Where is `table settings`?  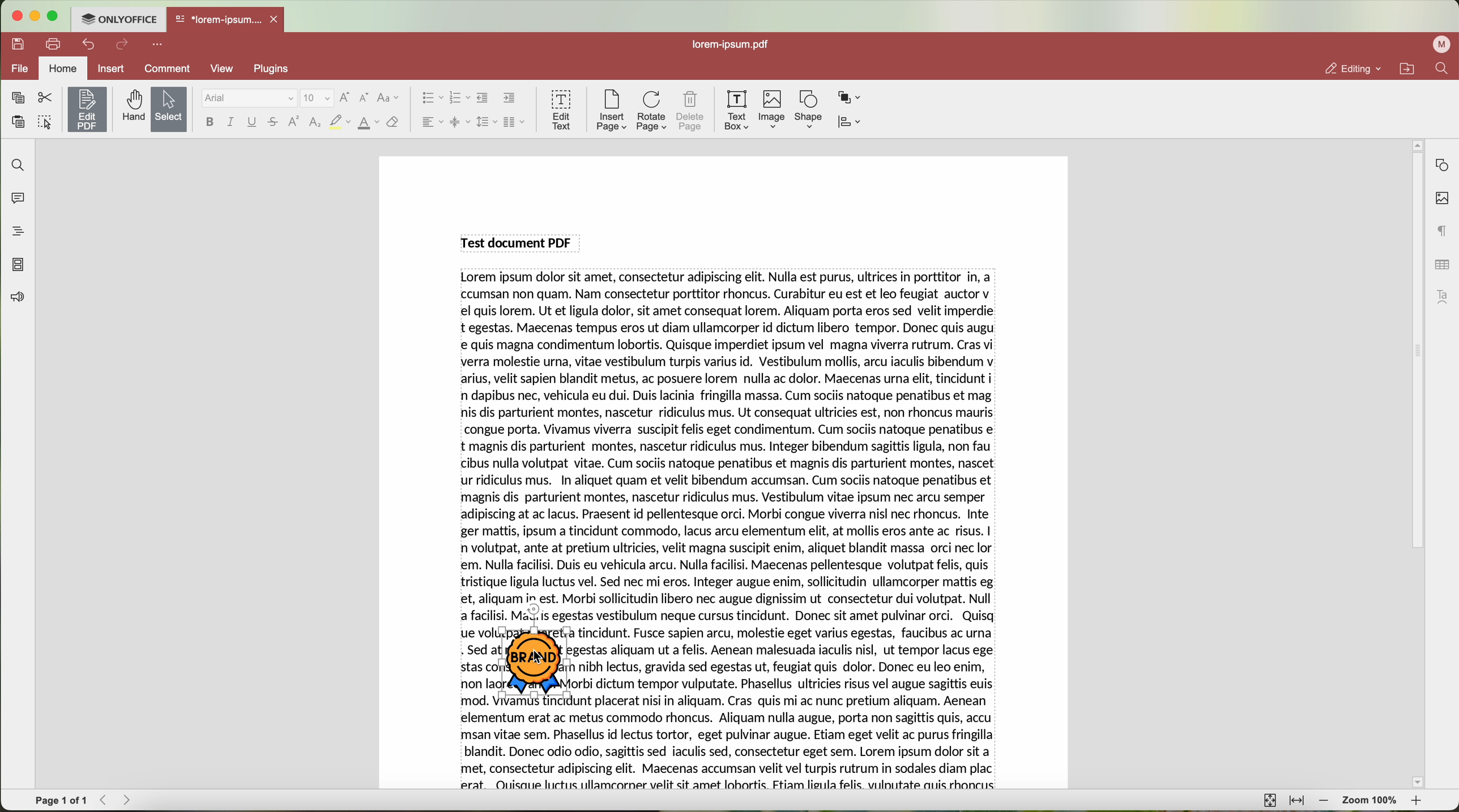
table settings is located at coordinates (1442, 264).